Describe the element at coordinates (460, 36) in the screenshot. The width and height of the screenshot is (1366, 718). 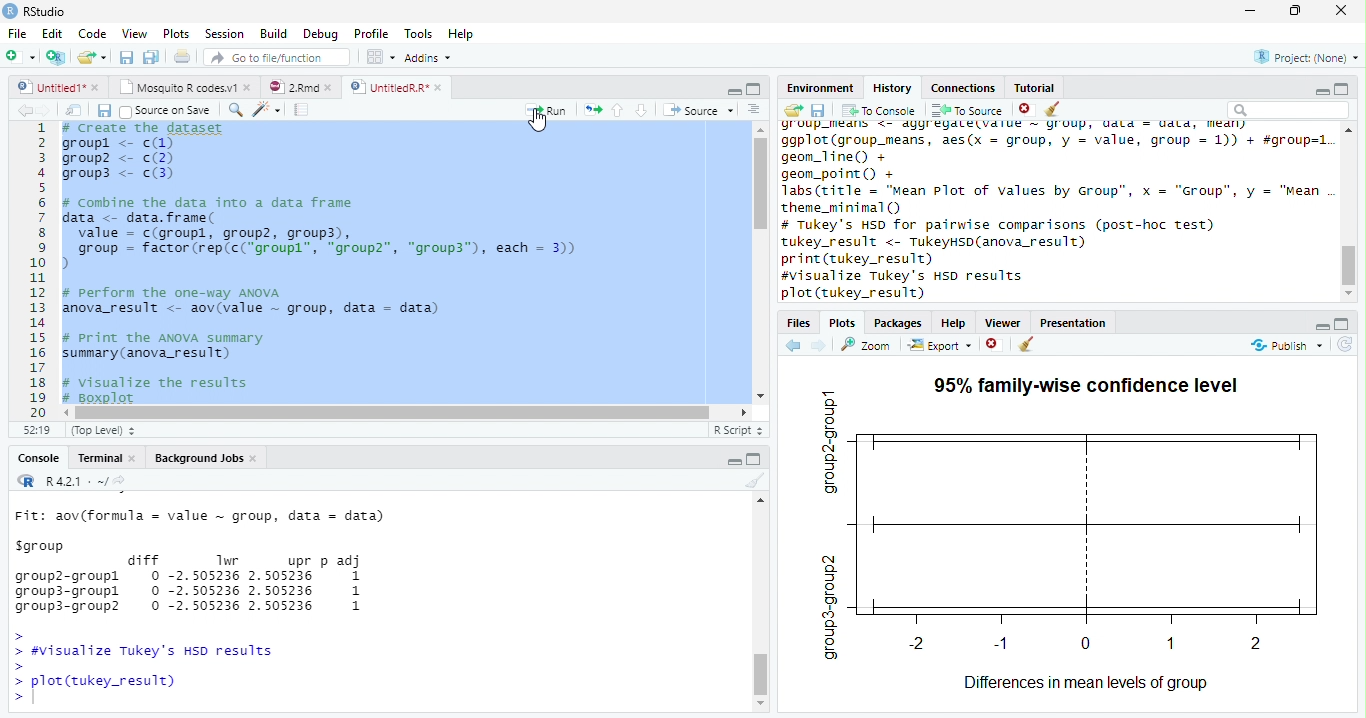
I see `Help` at that location.